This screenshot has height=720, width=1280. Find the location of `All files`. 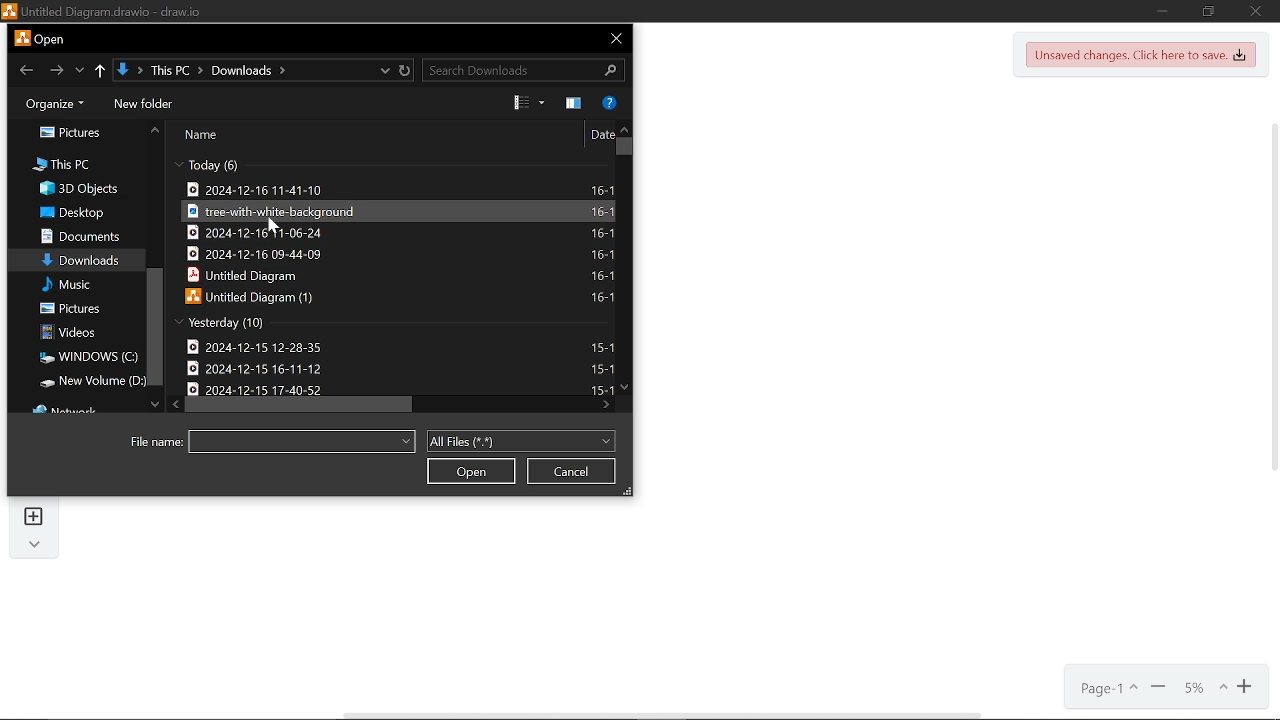

All files is located at coordinates (522, 440).